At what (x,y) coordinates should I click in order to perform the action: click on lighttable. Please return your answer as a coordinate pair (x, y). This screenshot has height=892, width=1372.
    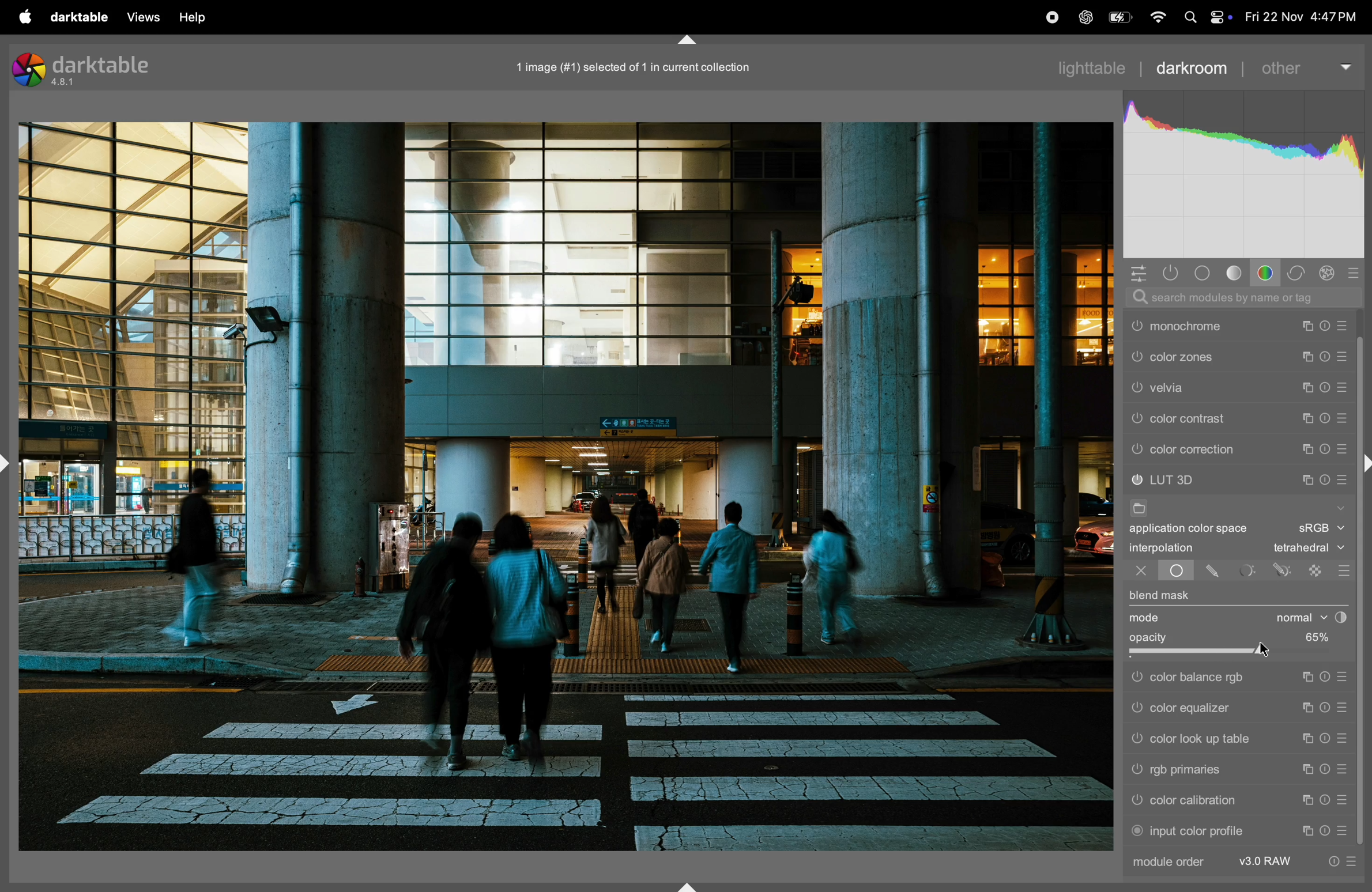
    Looking at the image, I should click on (1090, 70).